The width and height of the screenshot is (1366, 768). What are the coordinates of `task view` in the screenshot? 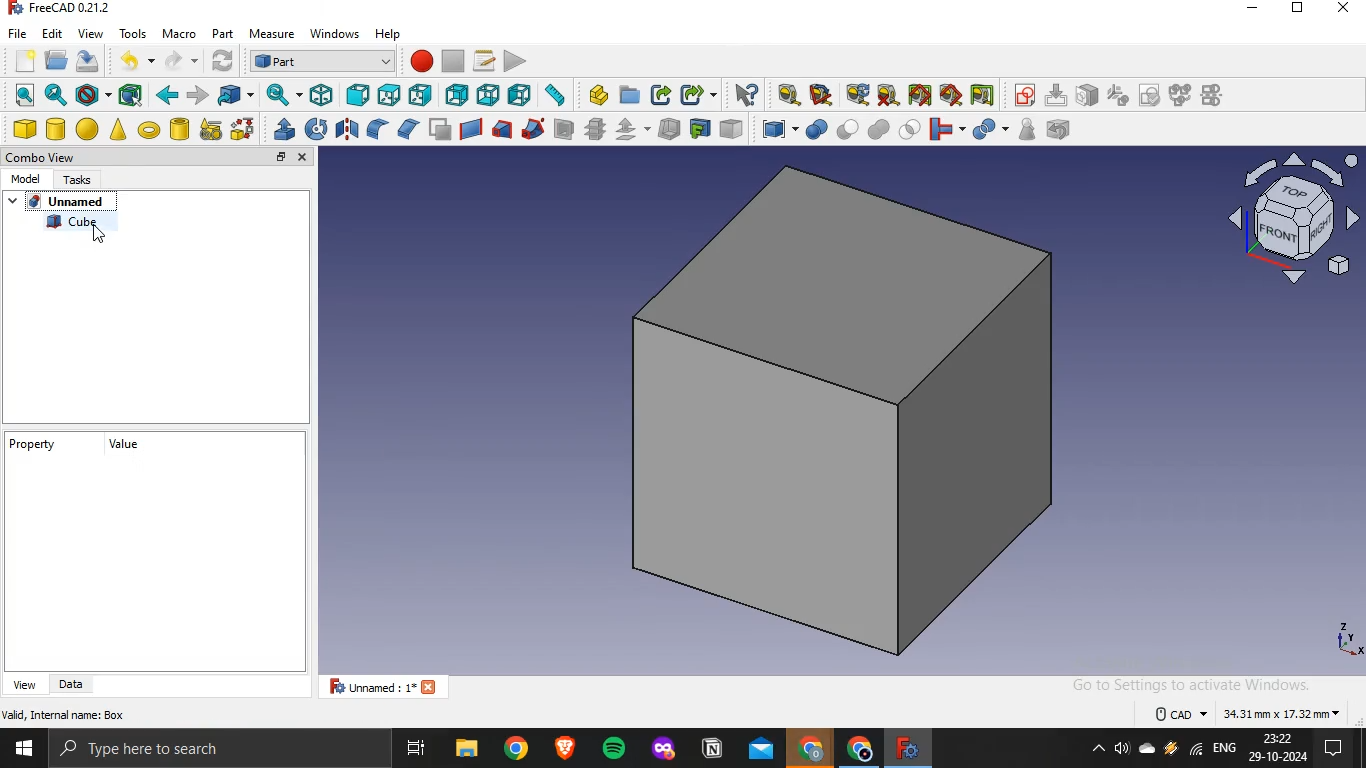 It's located at (418, 749).